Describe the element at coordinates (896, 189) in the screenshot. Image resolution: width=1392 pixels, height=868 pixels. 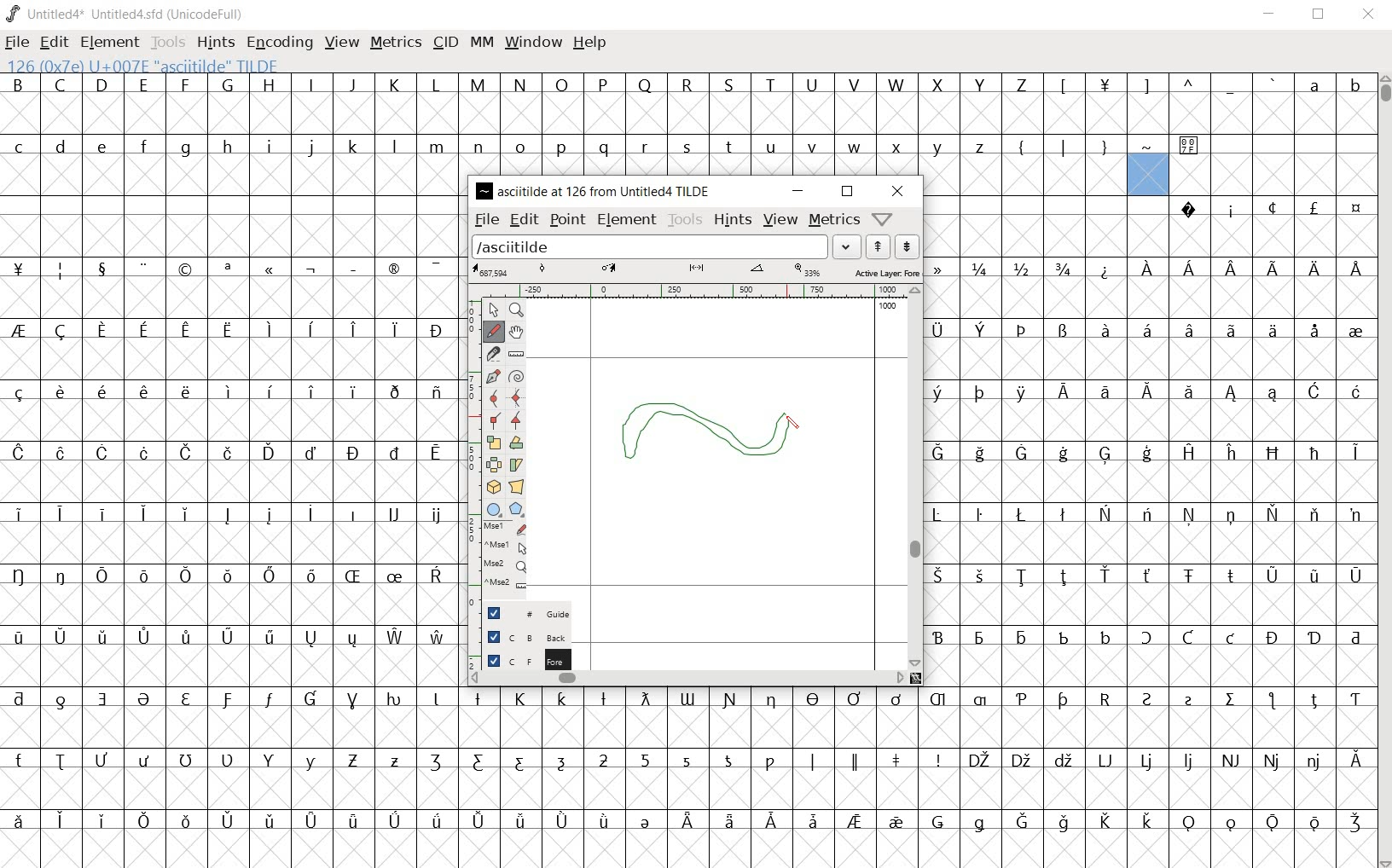
I see `close` at that location.